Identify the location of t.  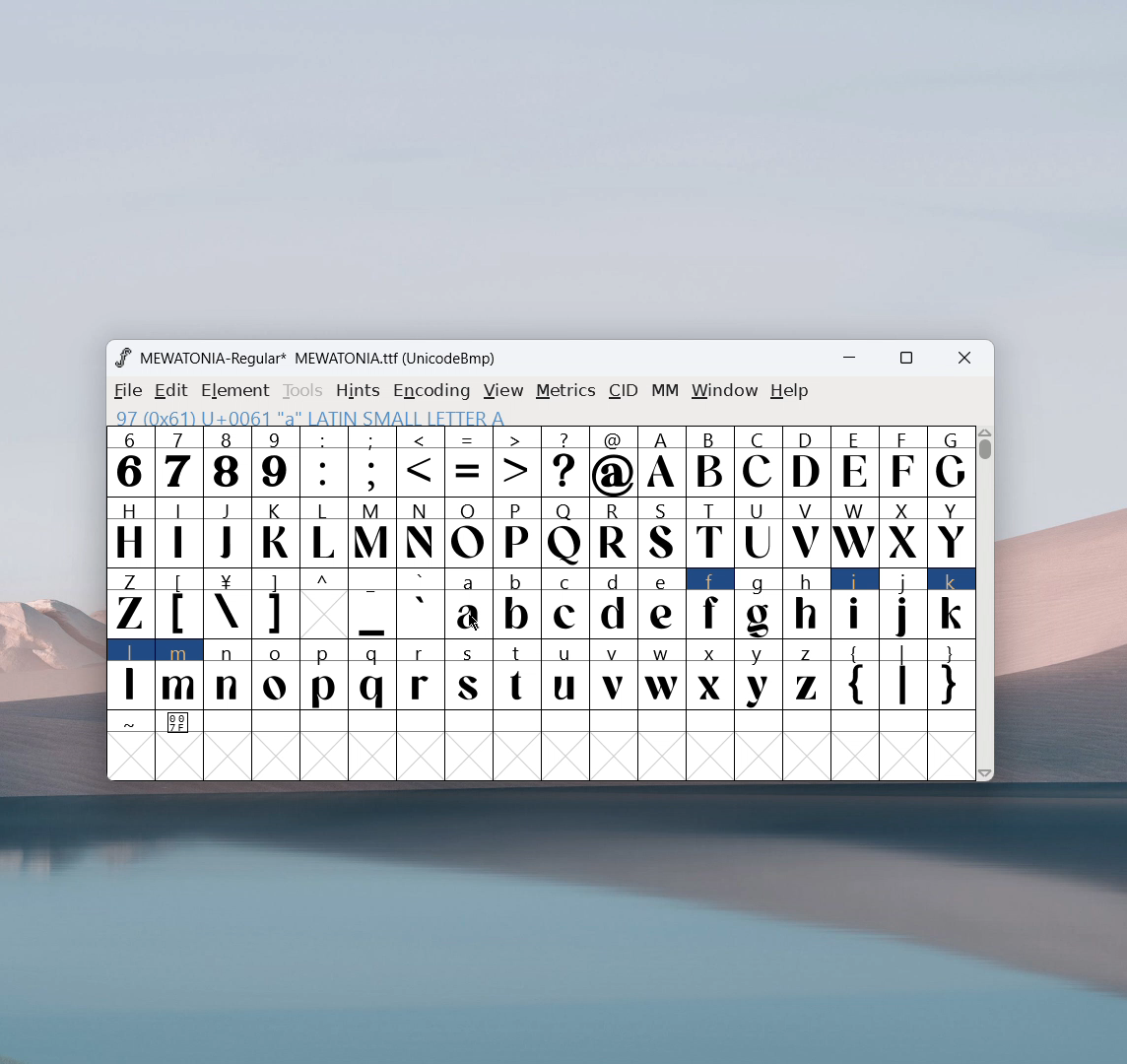
(518, 676).